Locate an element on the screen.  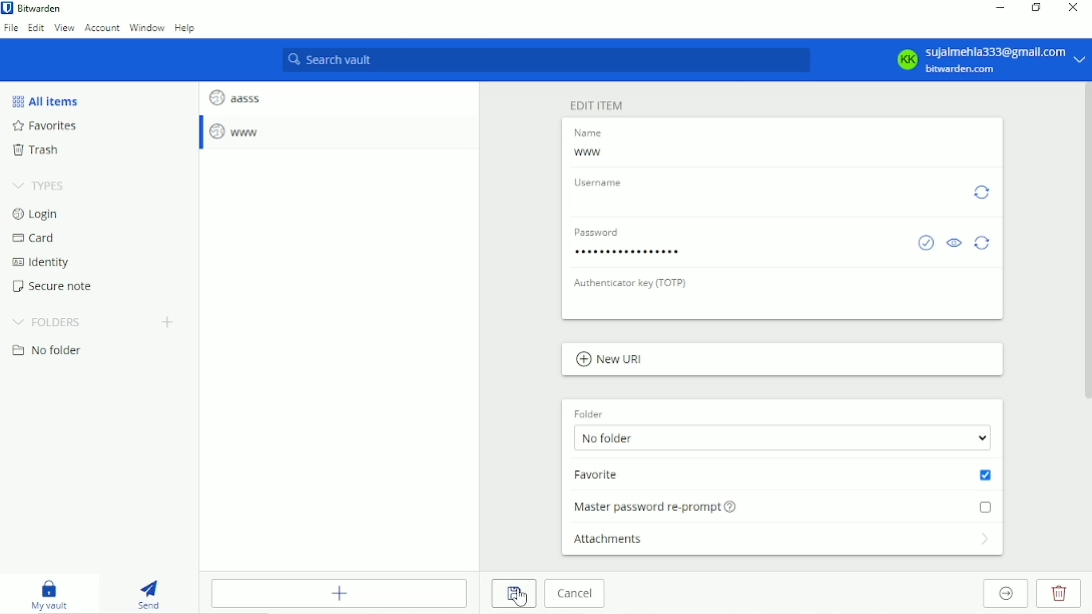
View is located at coordinates (65, 29).